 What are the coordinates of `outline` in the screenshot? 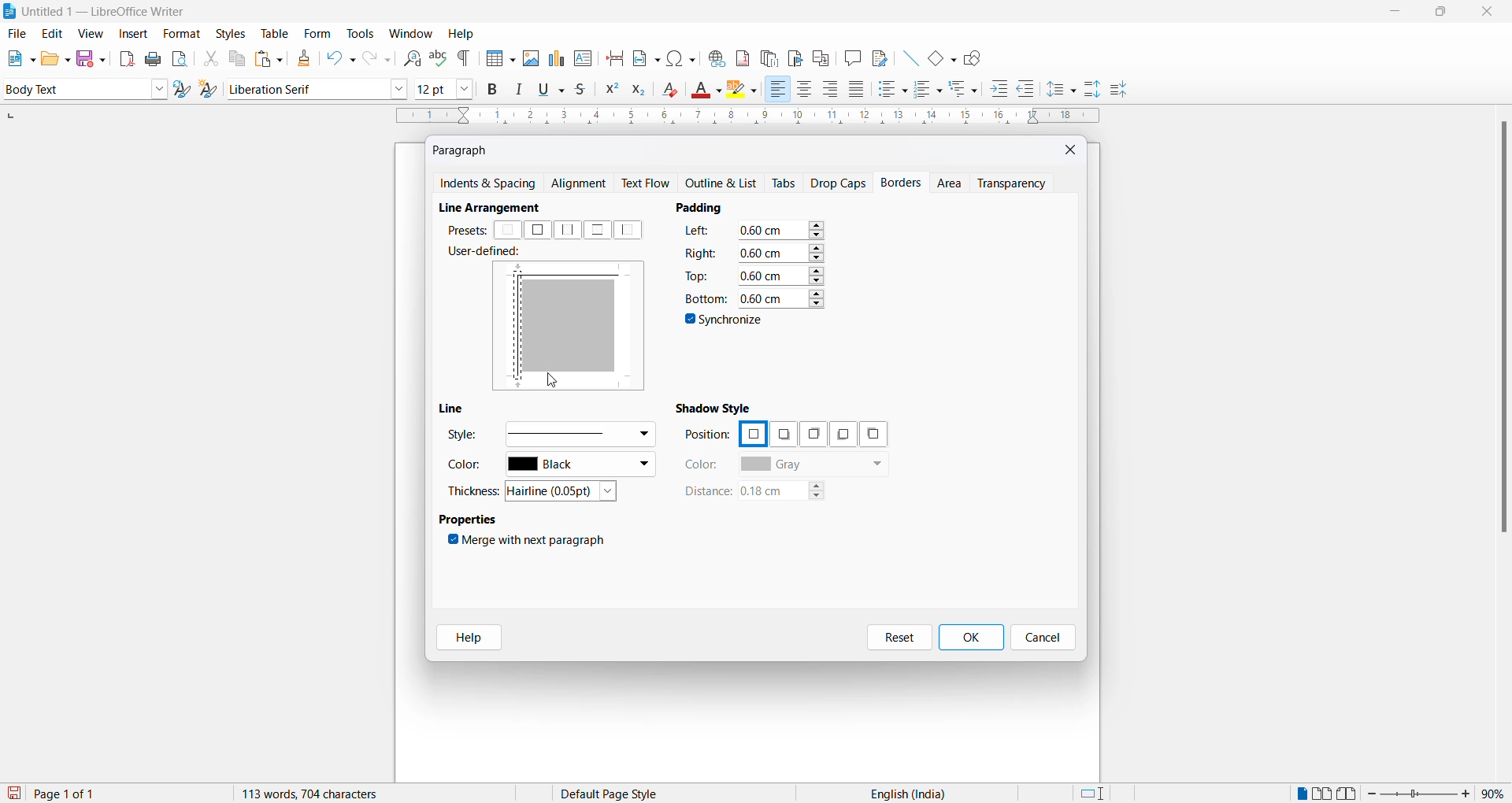 It's located at (725, 184).